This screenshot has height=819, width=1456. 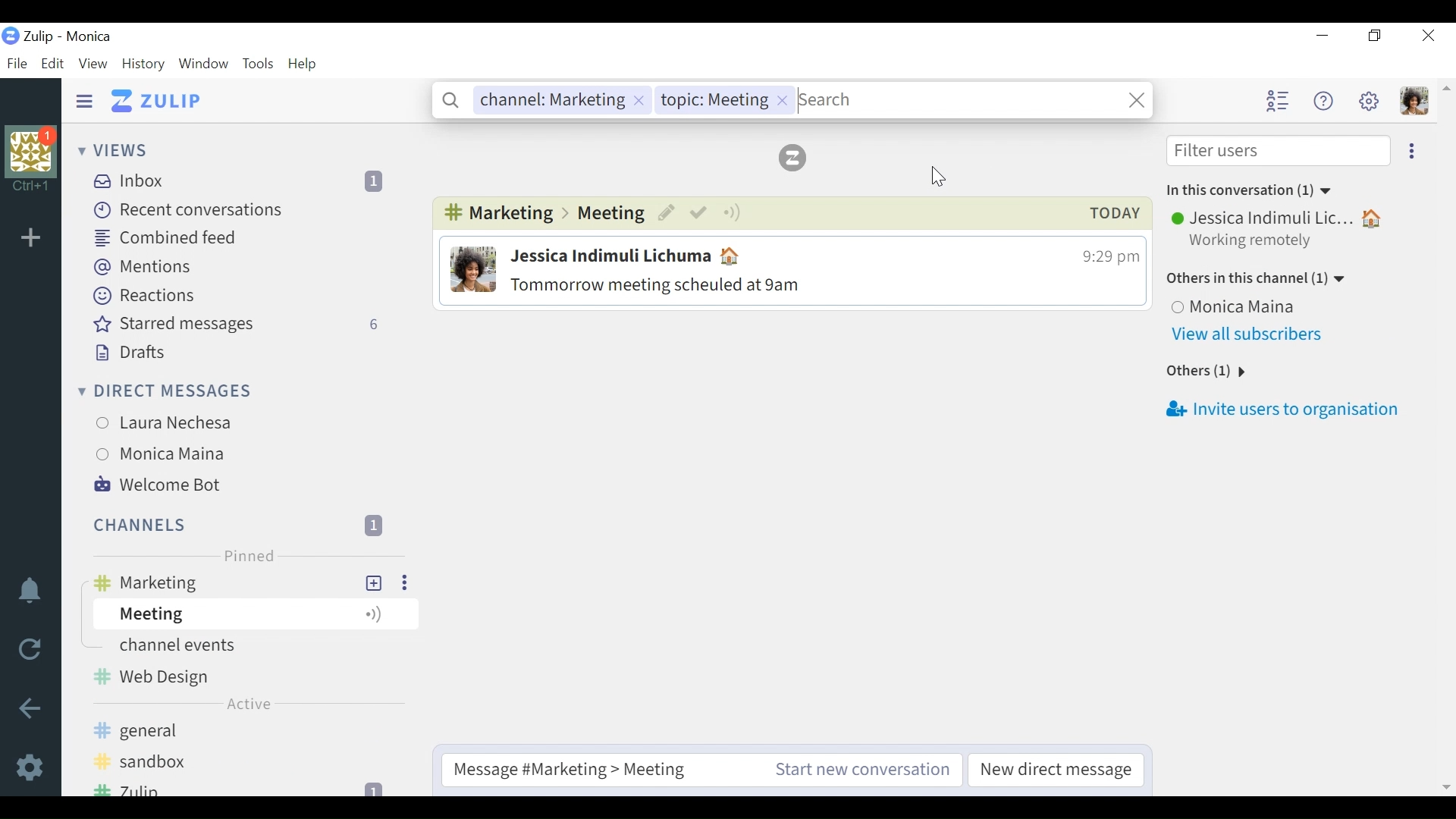 I want to click on Mark as resolved, so click(x=701, y=214).